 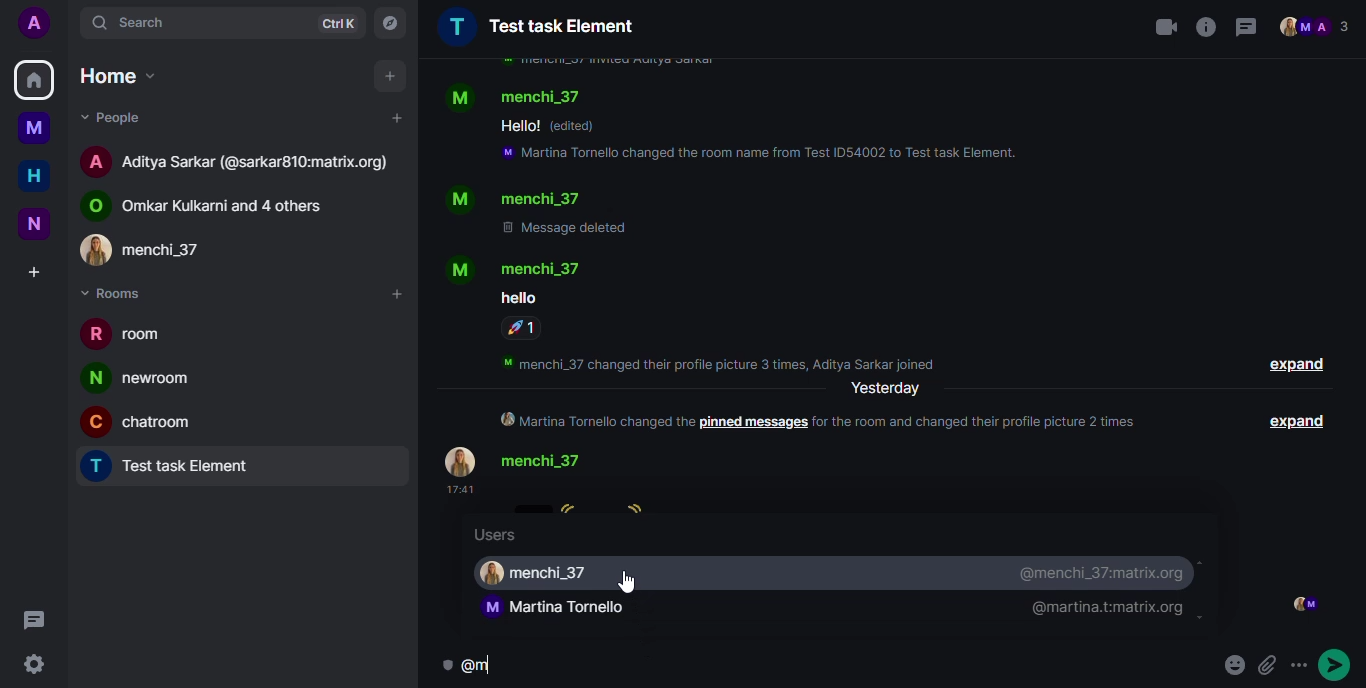 What do you see at coordinates (1156, 26) in the screenshot?
I see `video call` at bounding box center [1156, 26].